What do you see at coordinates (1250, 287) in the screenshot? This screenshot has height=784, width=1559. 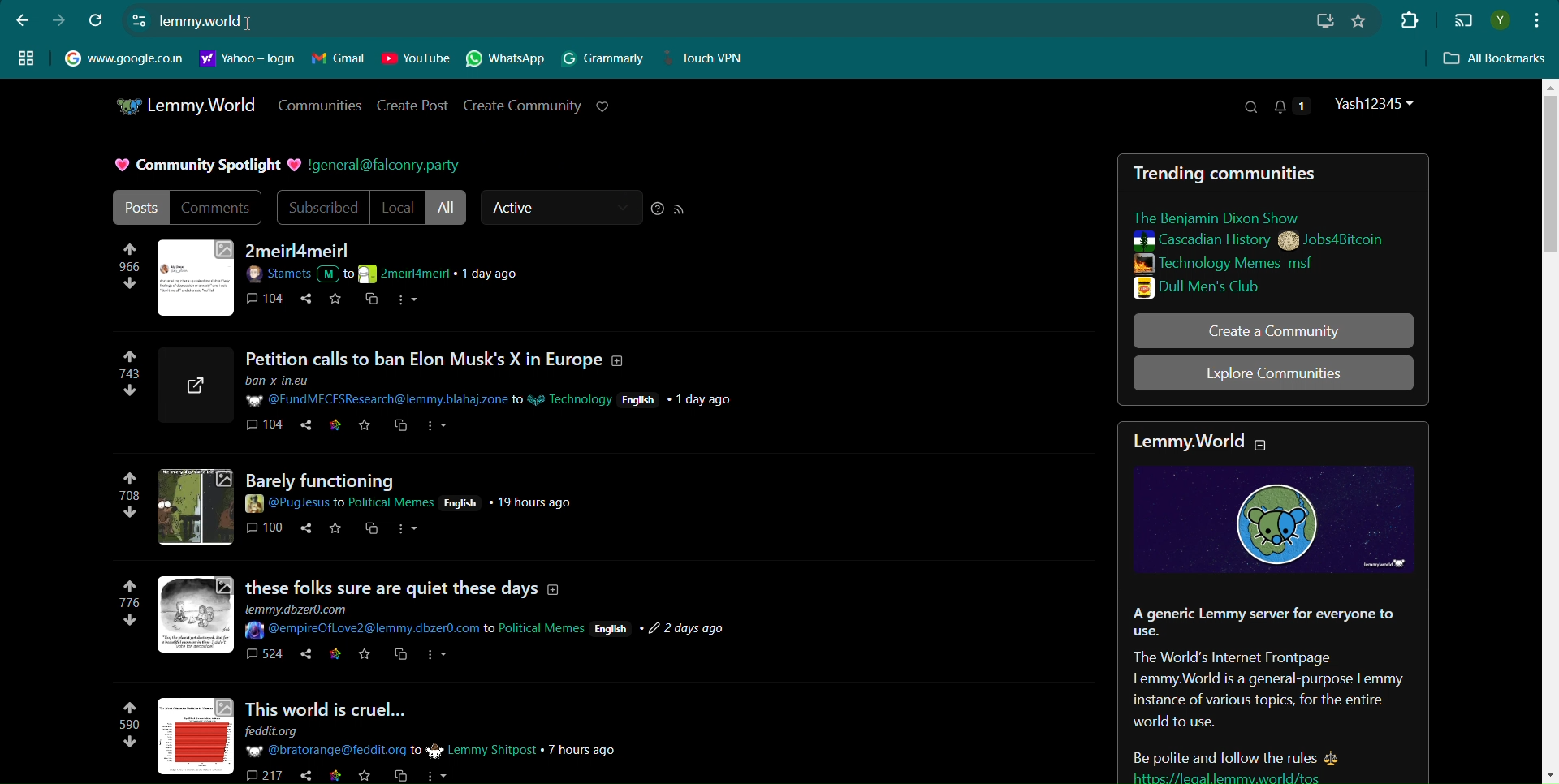 I see `Dull Mens Club` at bounding box center [1250, 287].